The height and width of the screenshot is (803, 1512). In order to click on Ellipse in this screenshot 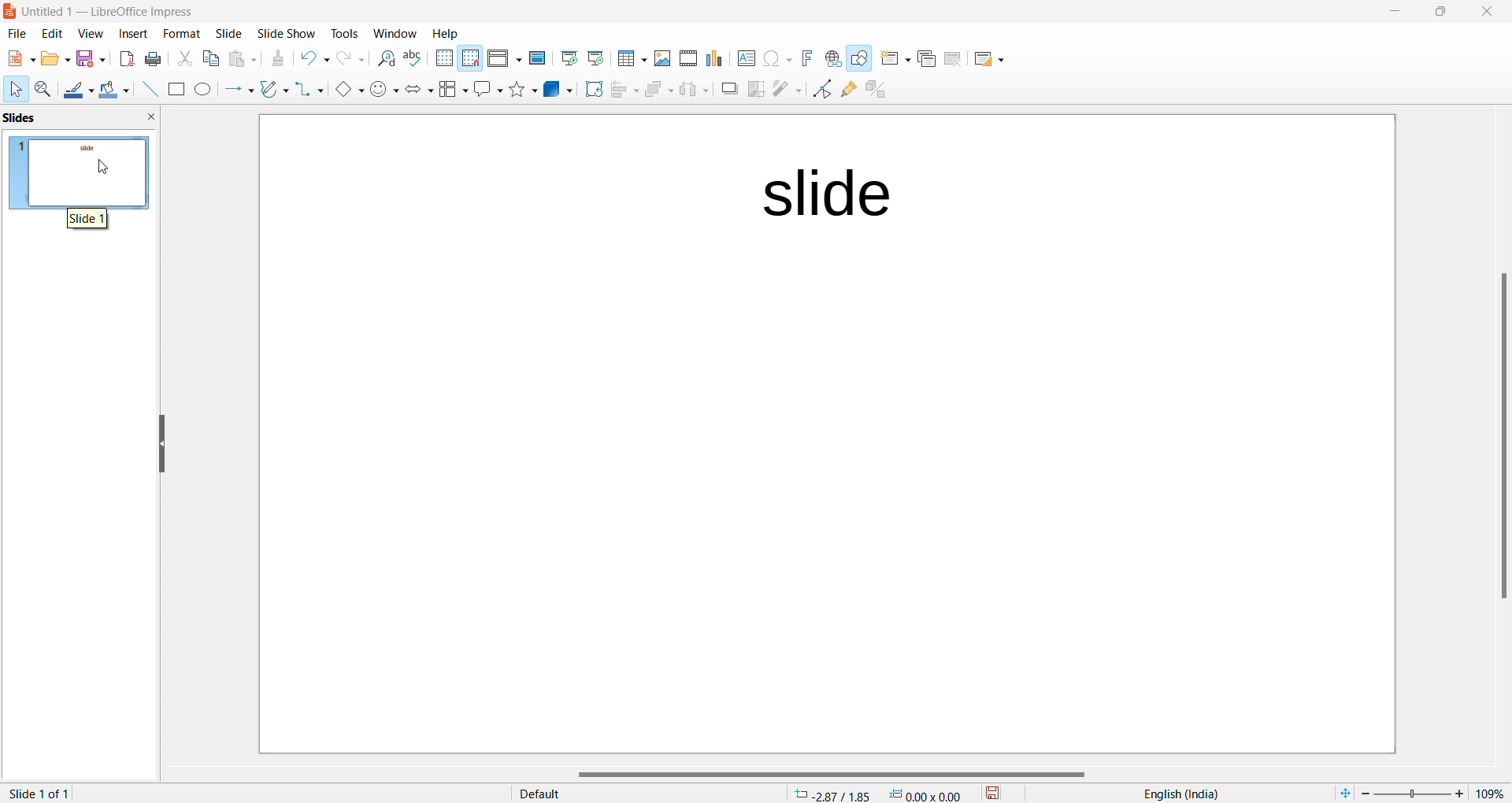, I will do `click(202, 90)`.